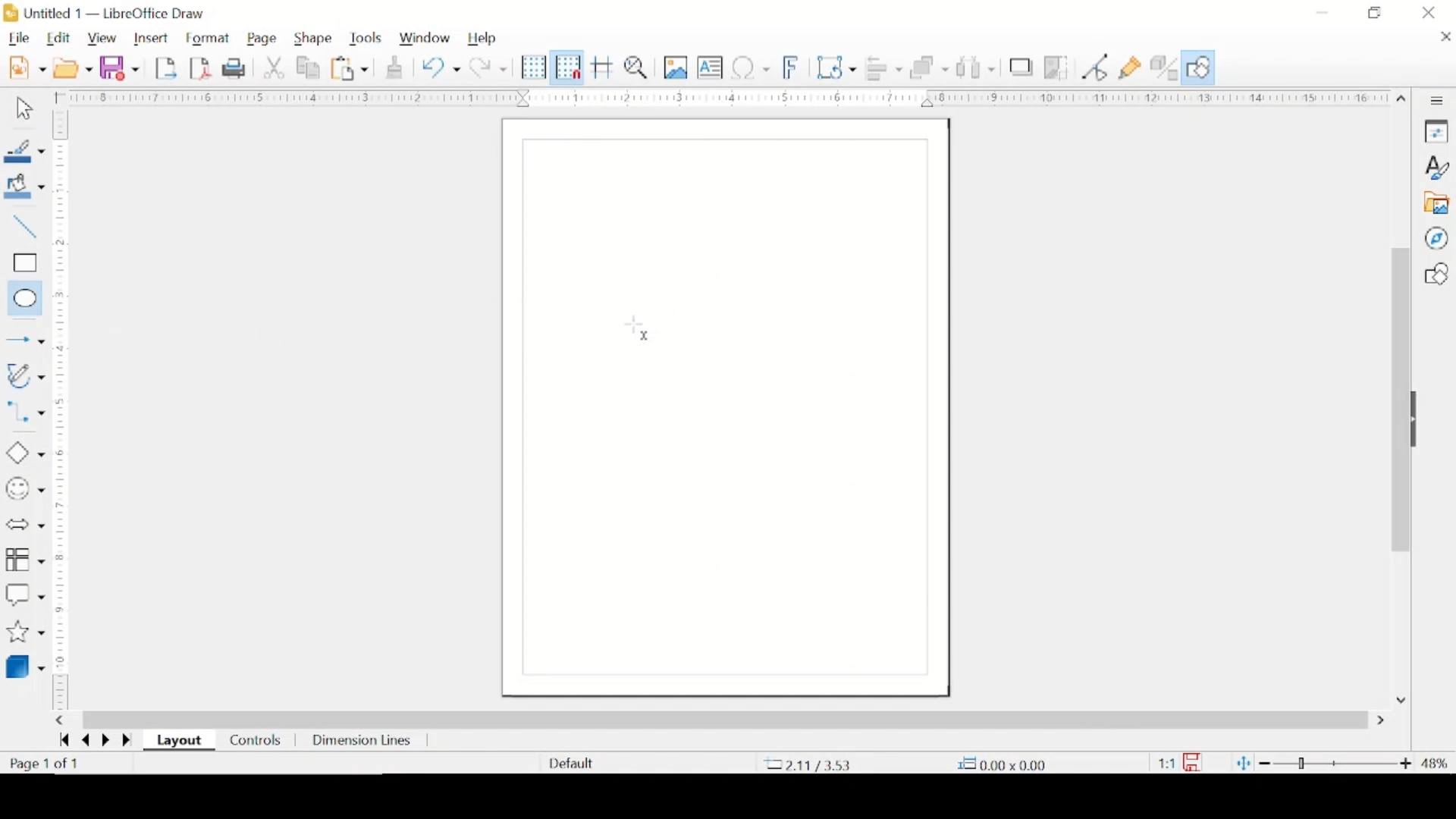 Image resolution: width=1456 pixels, height=819 pixels. I want to click on display grid, so click(533, 67).